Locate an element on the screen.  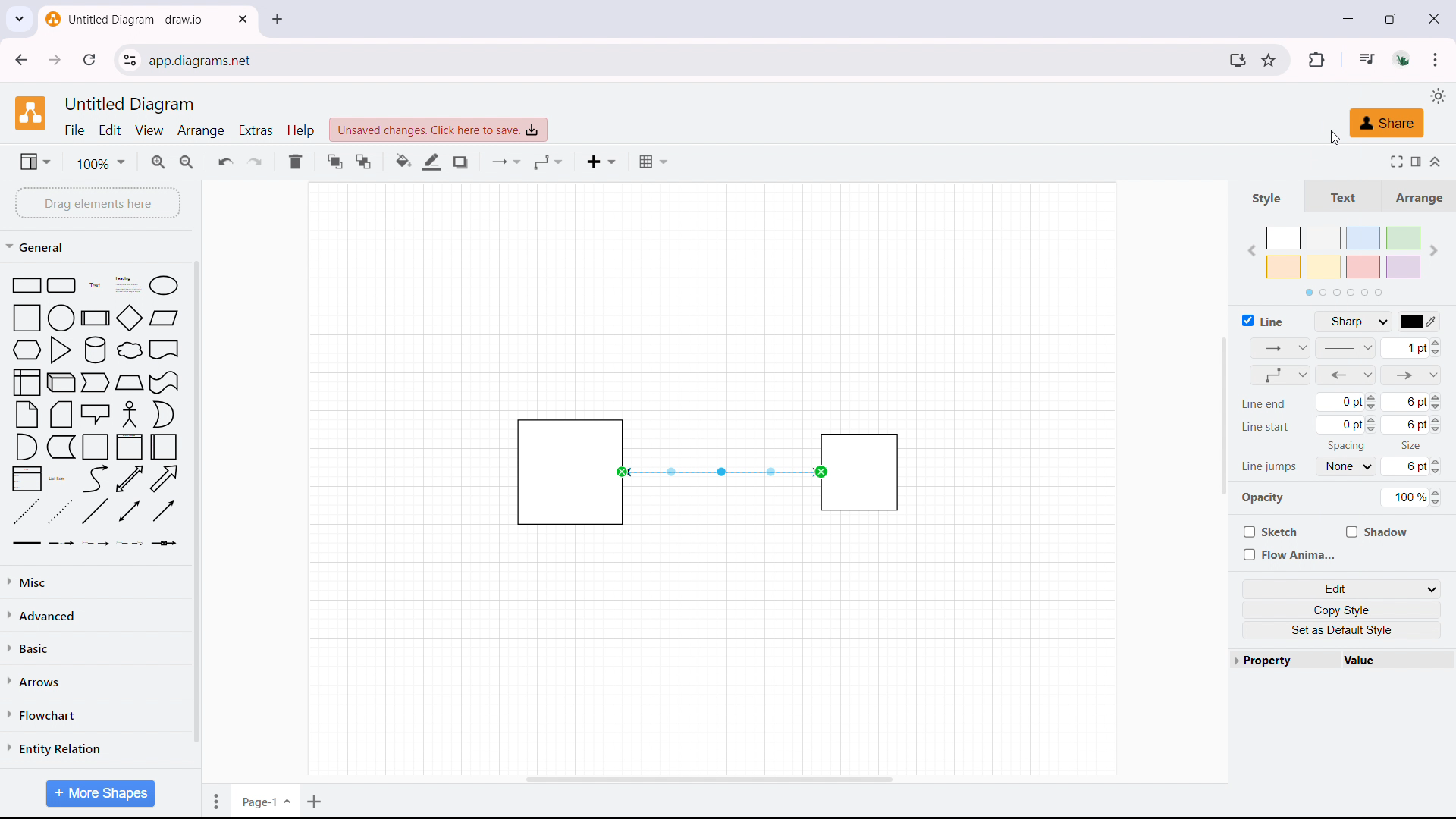
arrange is located at coordinates (1417, 196).